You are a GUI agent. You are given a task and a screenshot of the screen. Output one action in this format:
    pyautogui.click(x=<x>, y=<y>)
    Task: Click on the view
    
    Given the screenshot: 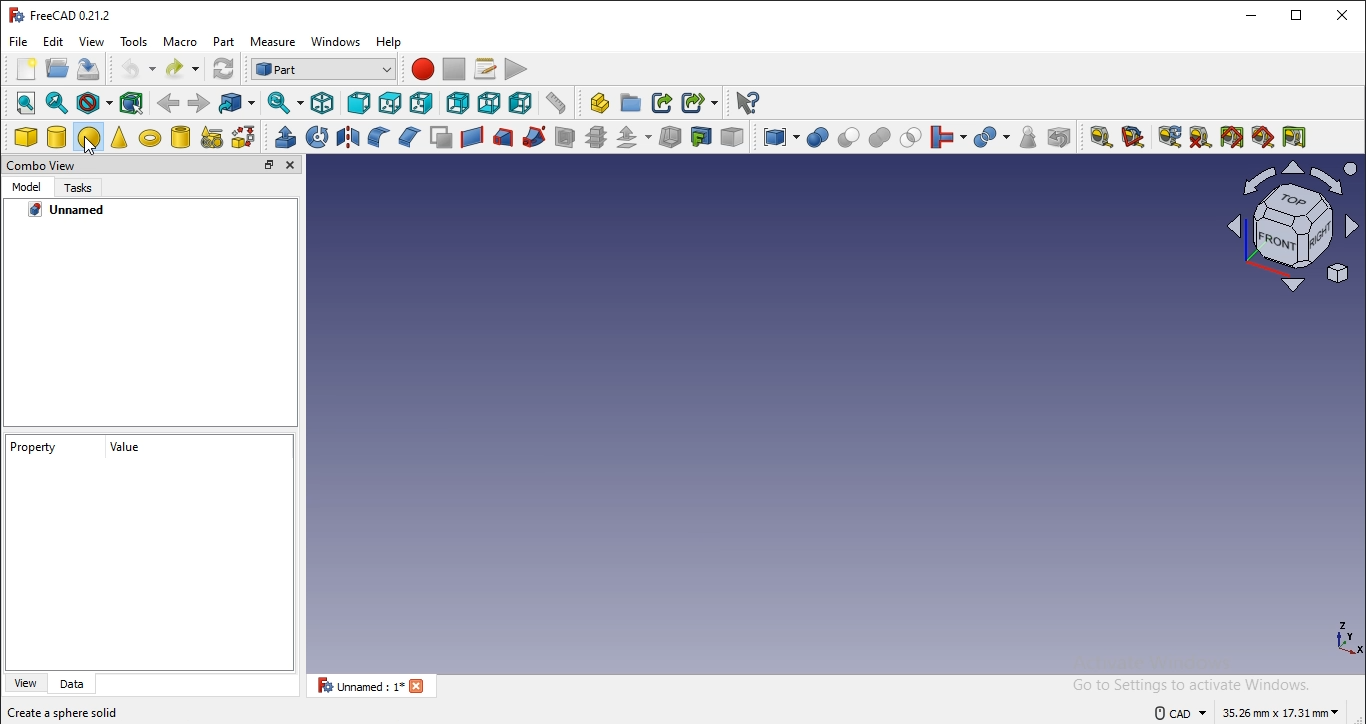 What is the action you would take?
    pyautogui.click(x=26, y=682)
    